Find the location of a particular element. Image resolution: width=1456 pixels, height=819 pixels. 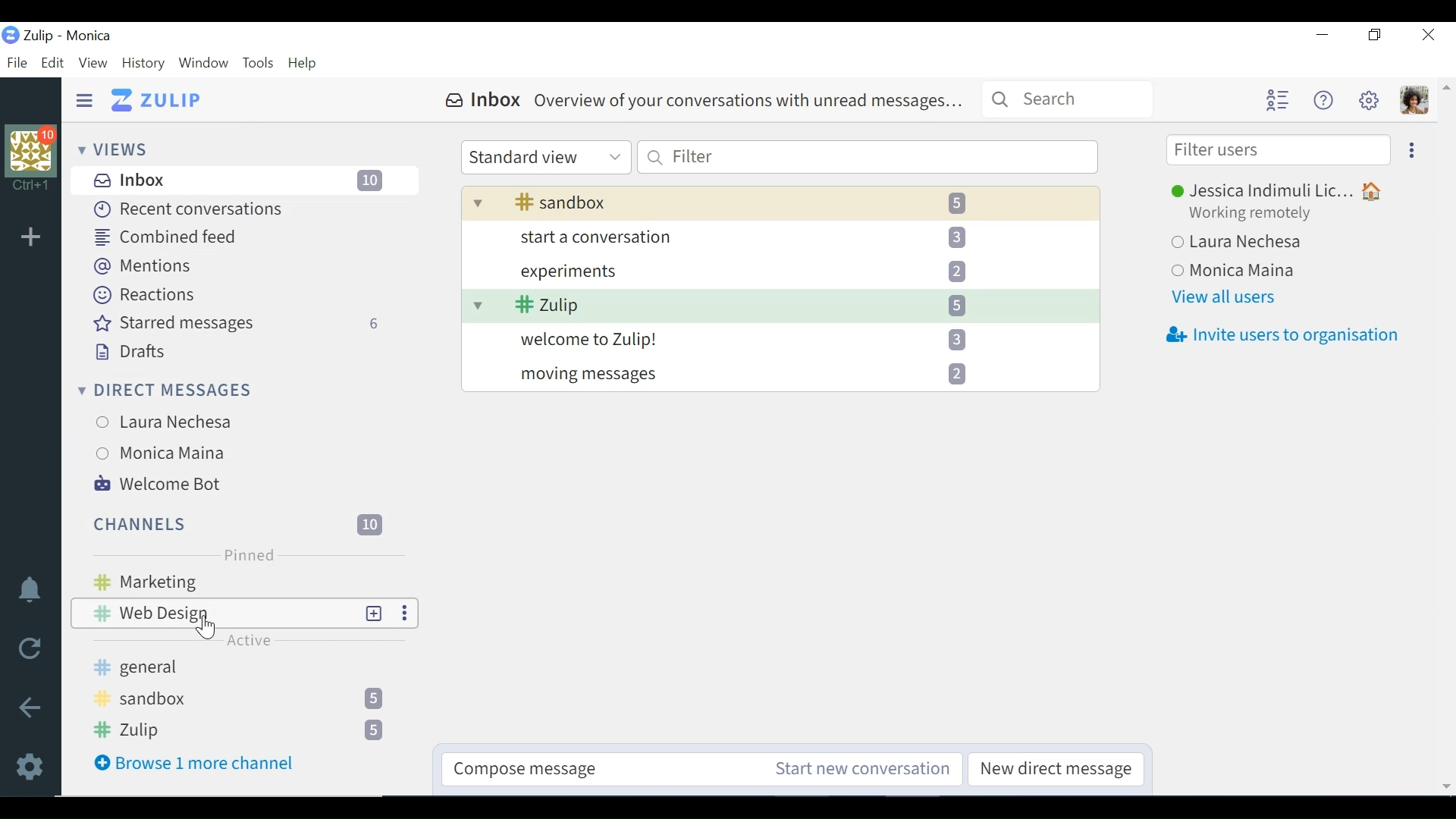

Views menu is located at coordinates (116, 149).